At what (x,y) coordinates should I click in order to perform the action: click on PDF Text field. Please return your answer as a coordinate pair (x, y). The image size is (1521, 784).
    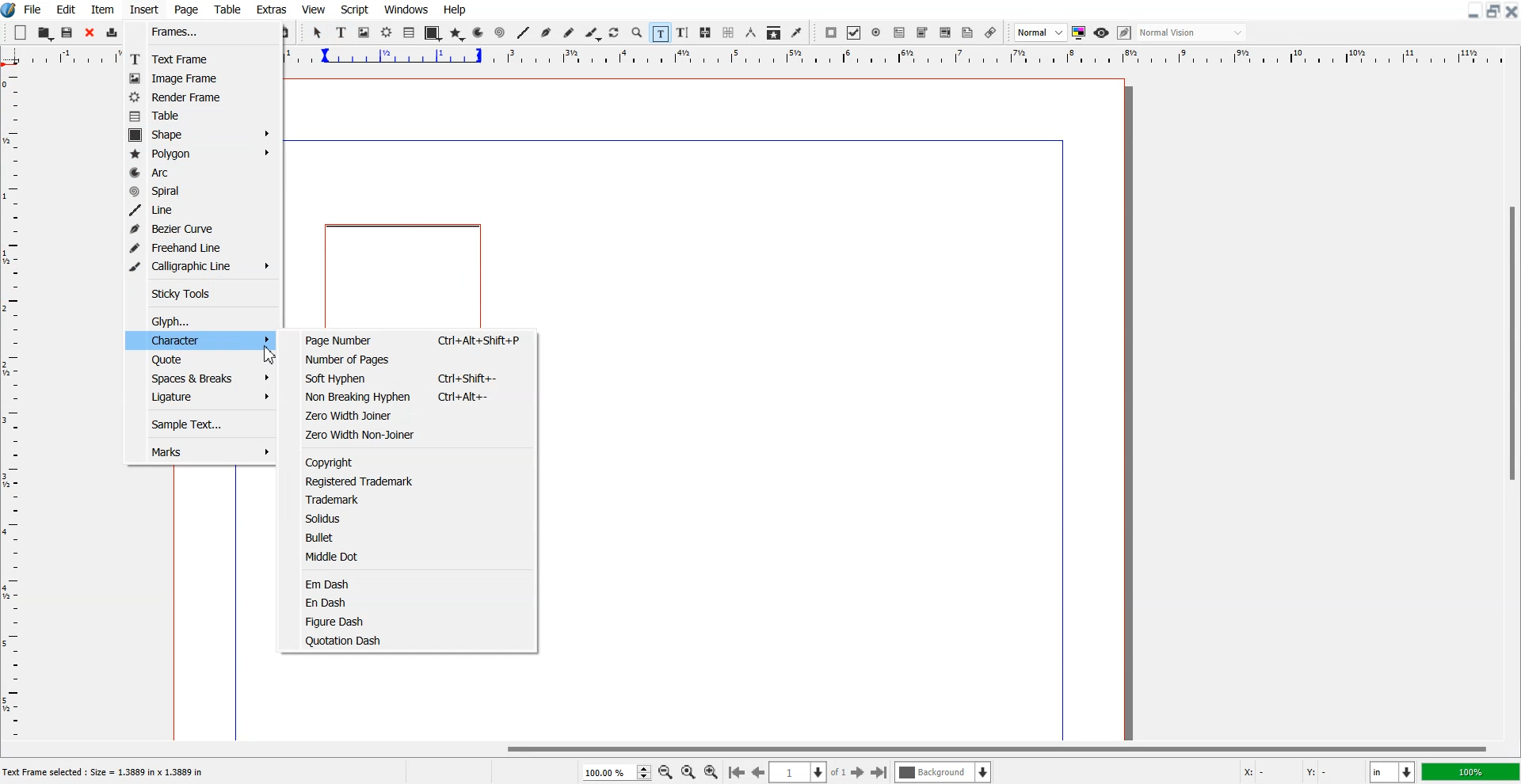
    Looking at the image, I should click on (922, 33).